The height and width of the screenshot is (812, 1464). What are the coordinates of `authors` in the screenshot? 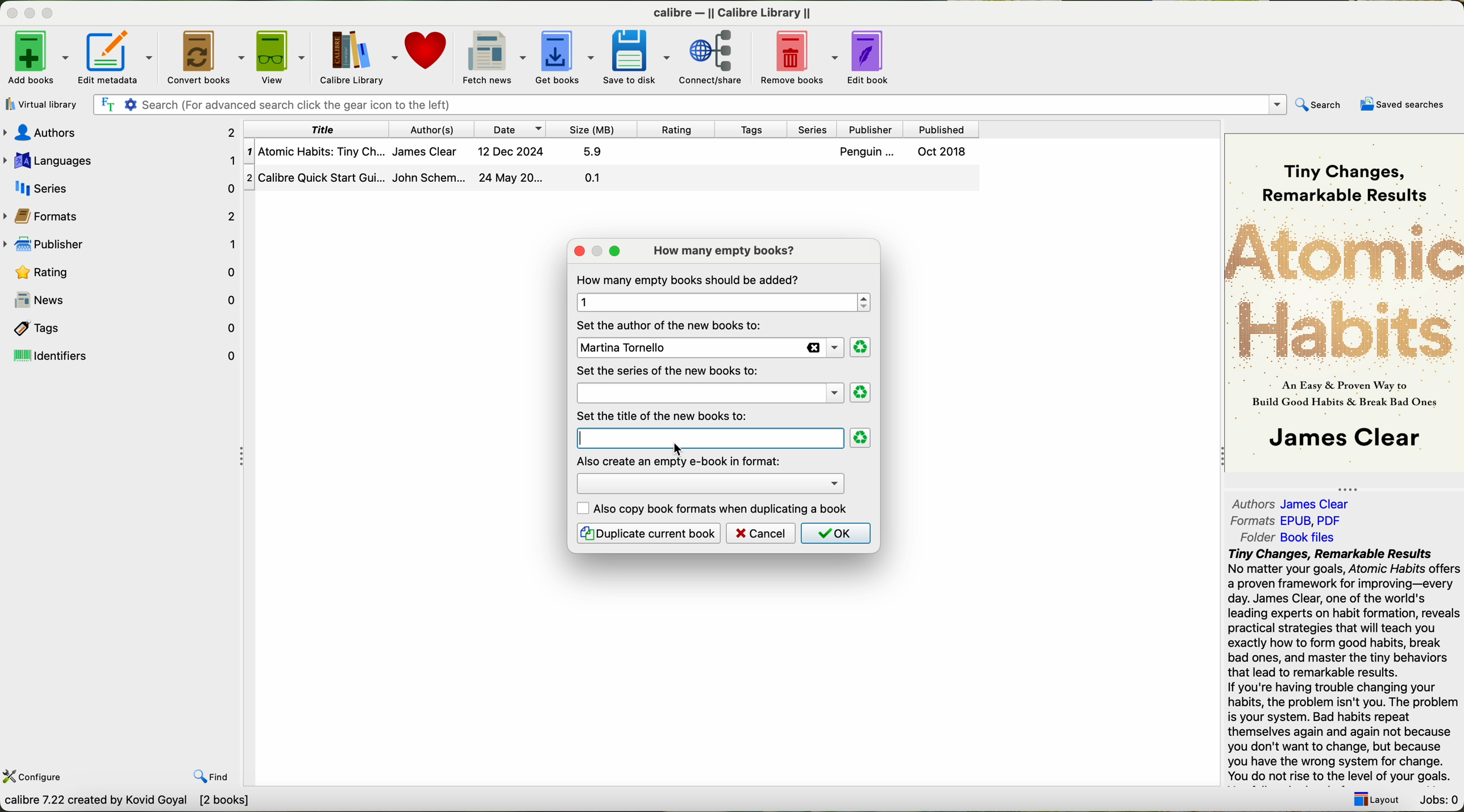 It's located at (1296, 503).